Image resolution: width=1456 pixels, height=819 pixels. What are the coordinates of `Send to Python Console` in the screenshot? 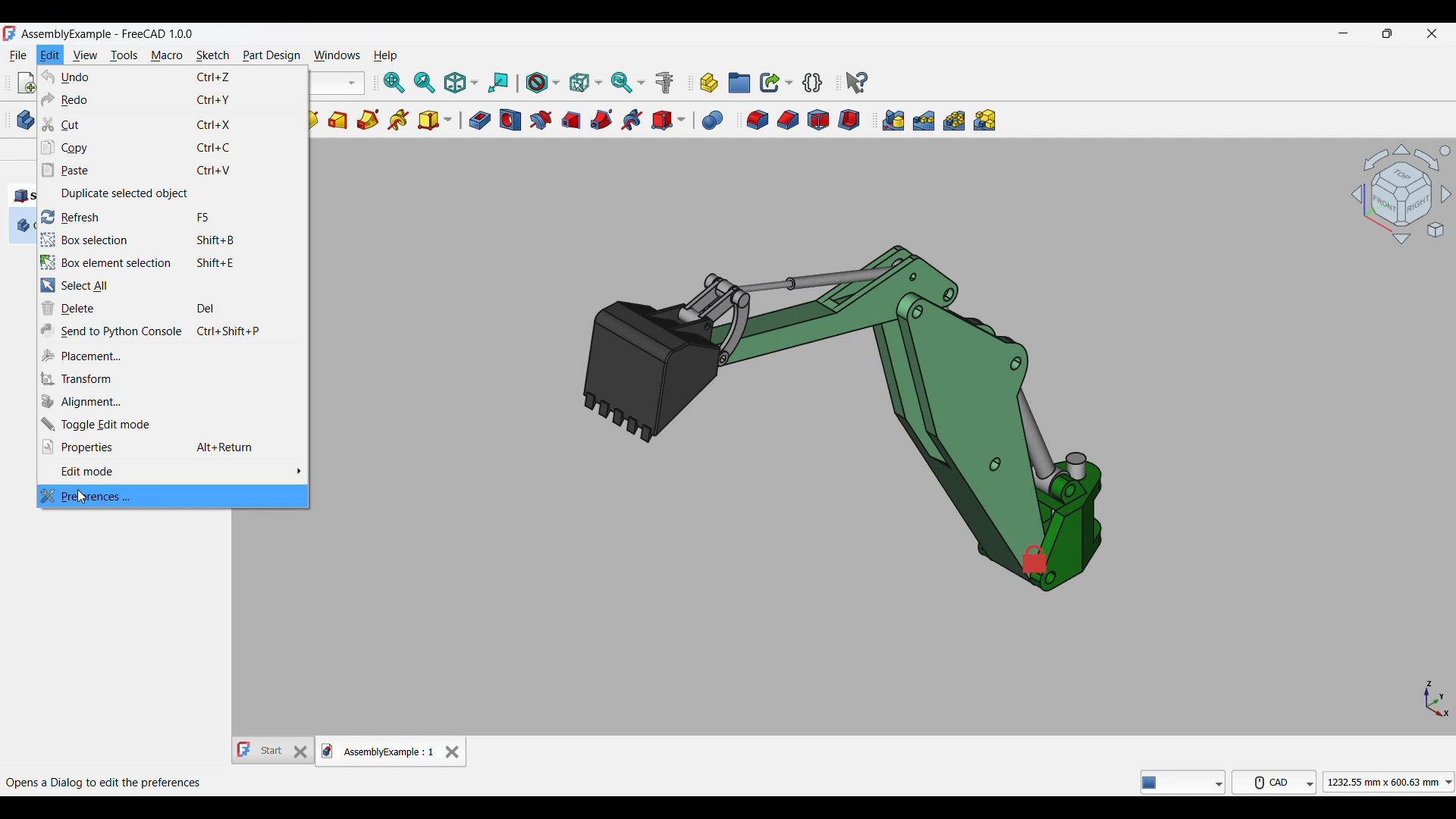 It's located at (173, 331).